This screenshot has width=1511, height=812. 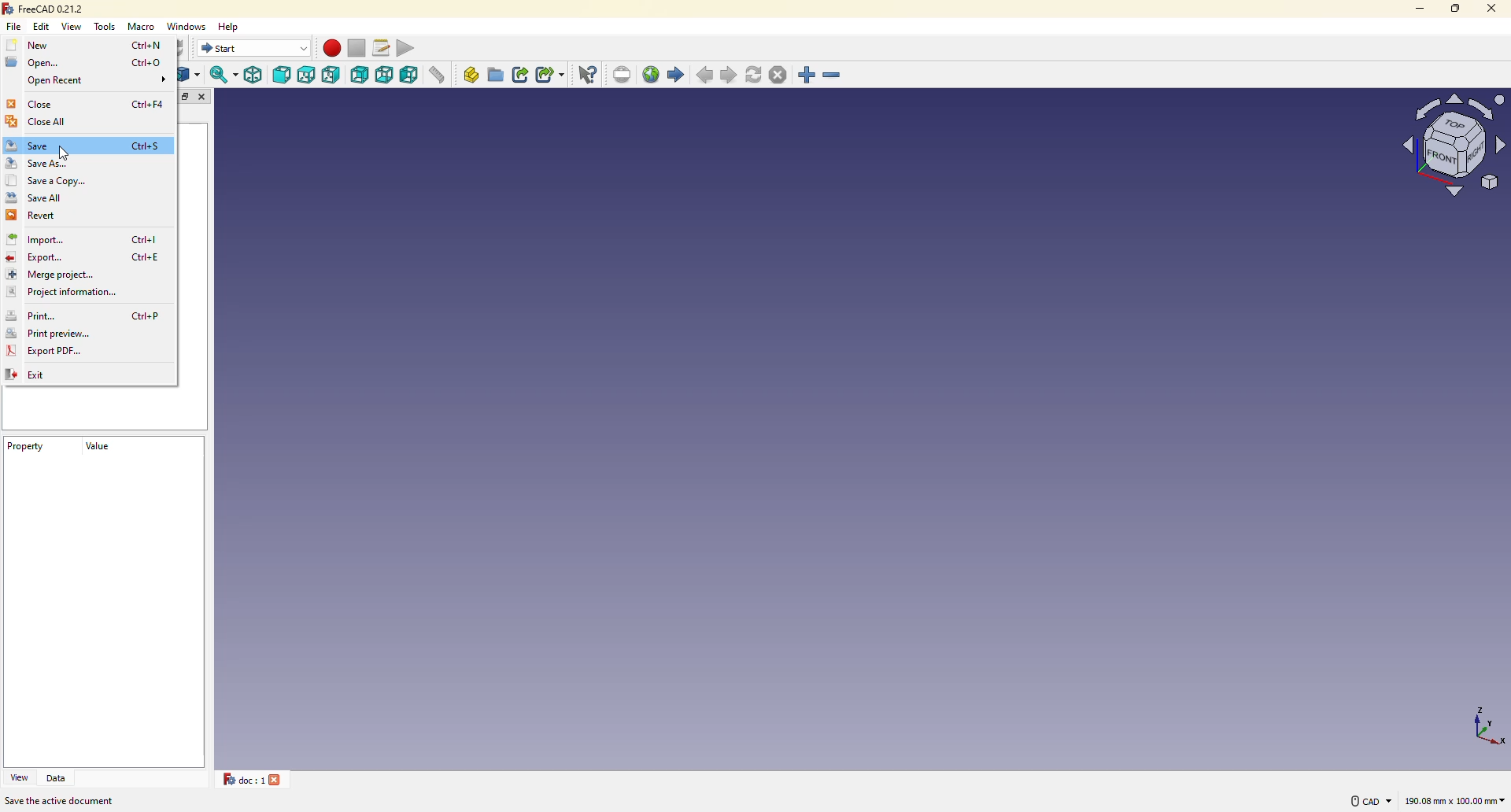 I want to click on macro, so click(x=144, y=28).